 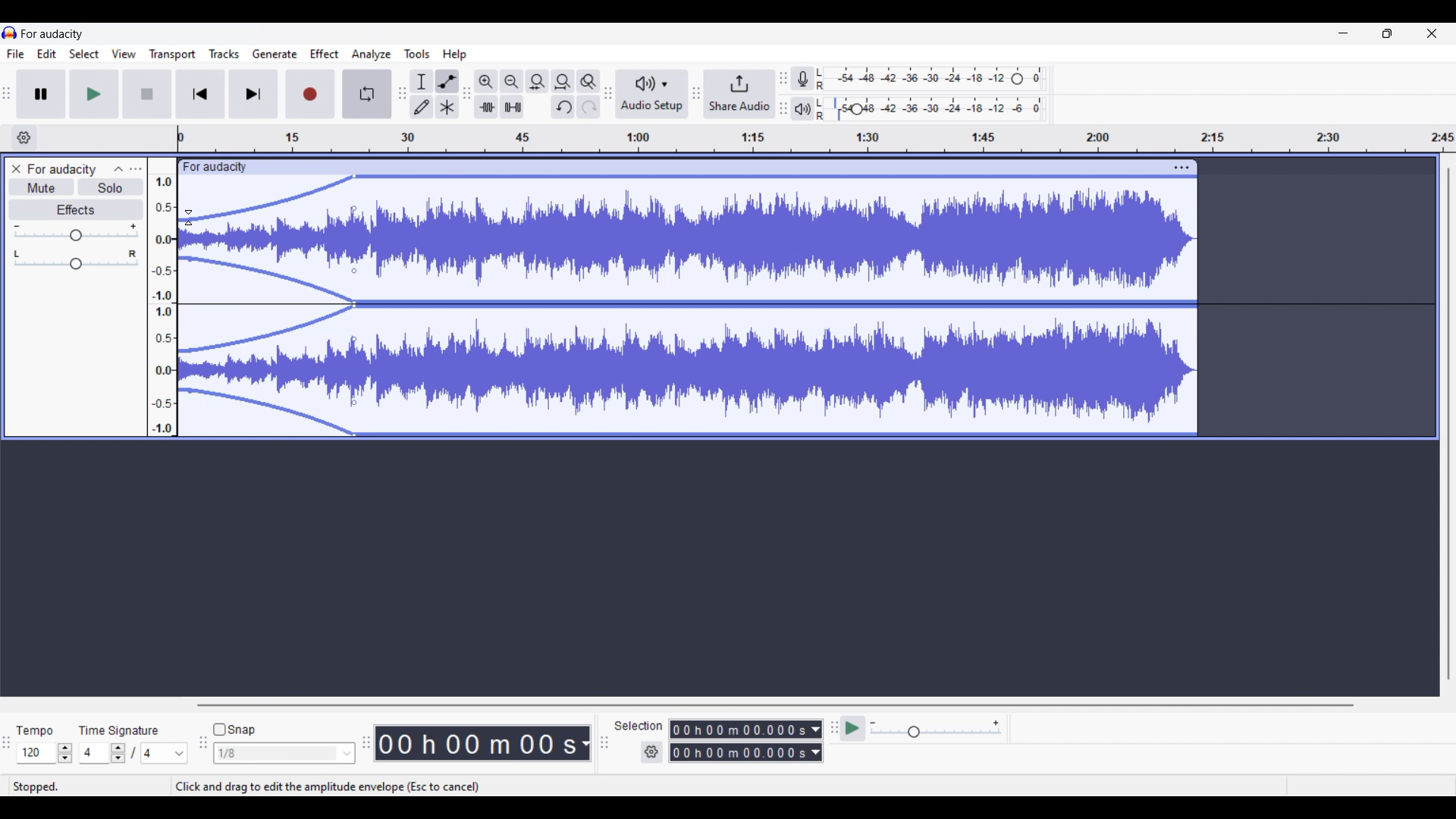 I want to click on Solo, so click(x=110, y=187).